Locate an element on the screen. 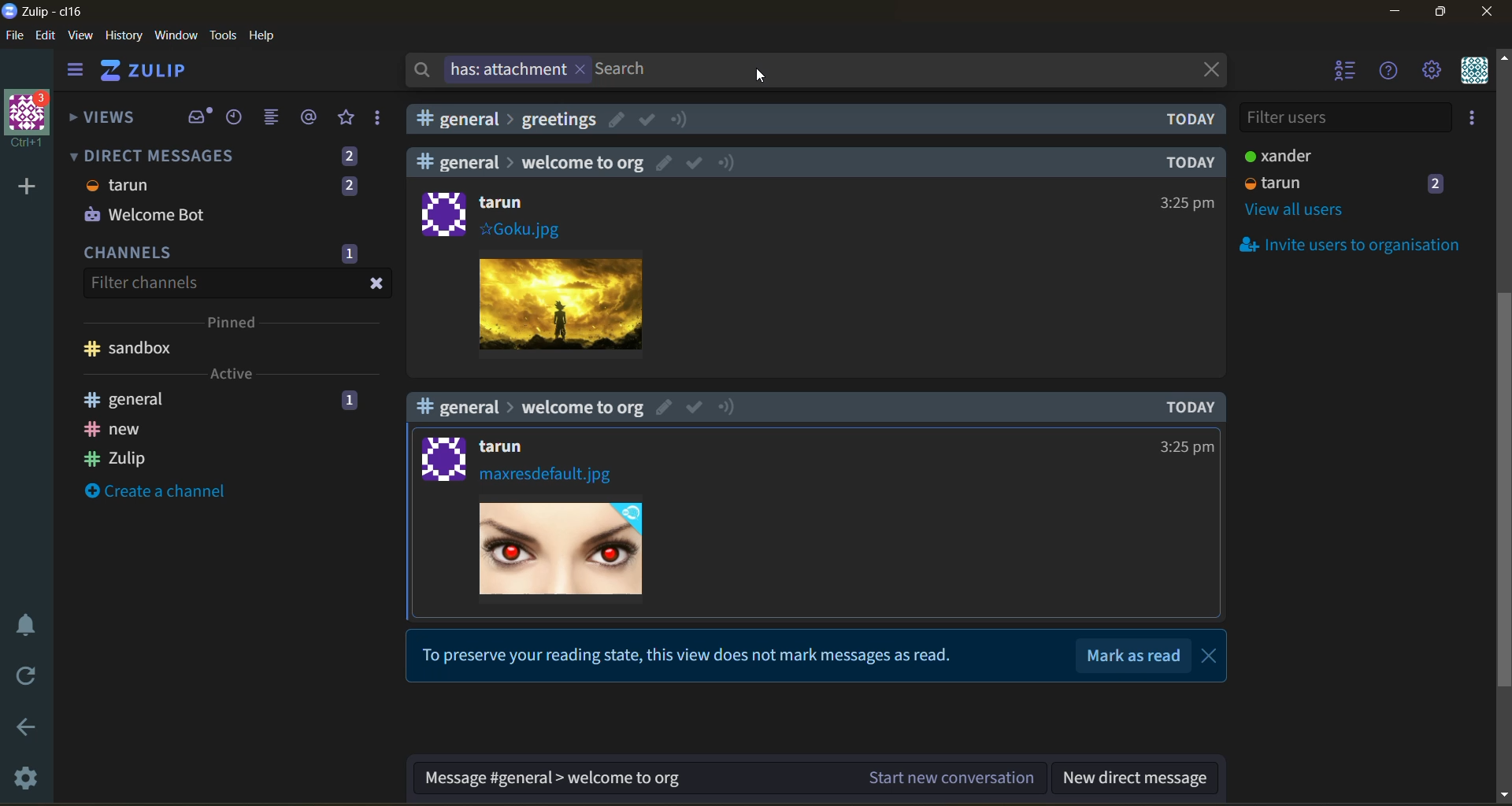 The width and height of the screenshot is (1512, 806). ZULIP is located at coordinates (146, 70).